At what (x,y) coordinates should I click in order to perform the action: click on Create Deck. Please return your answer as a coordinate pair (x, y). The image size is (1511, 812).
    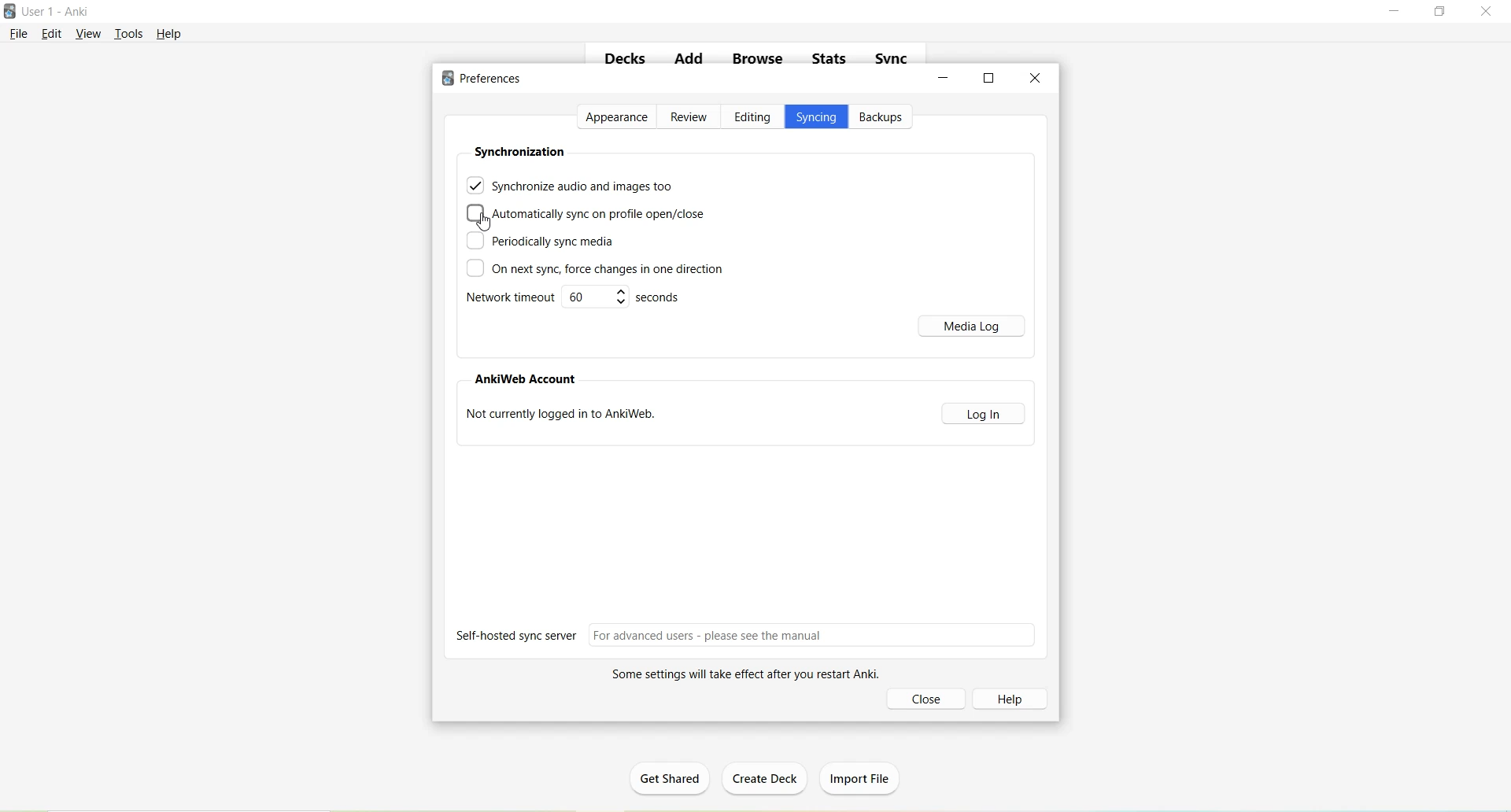
    Looking at the image, I should click on (768, 780).